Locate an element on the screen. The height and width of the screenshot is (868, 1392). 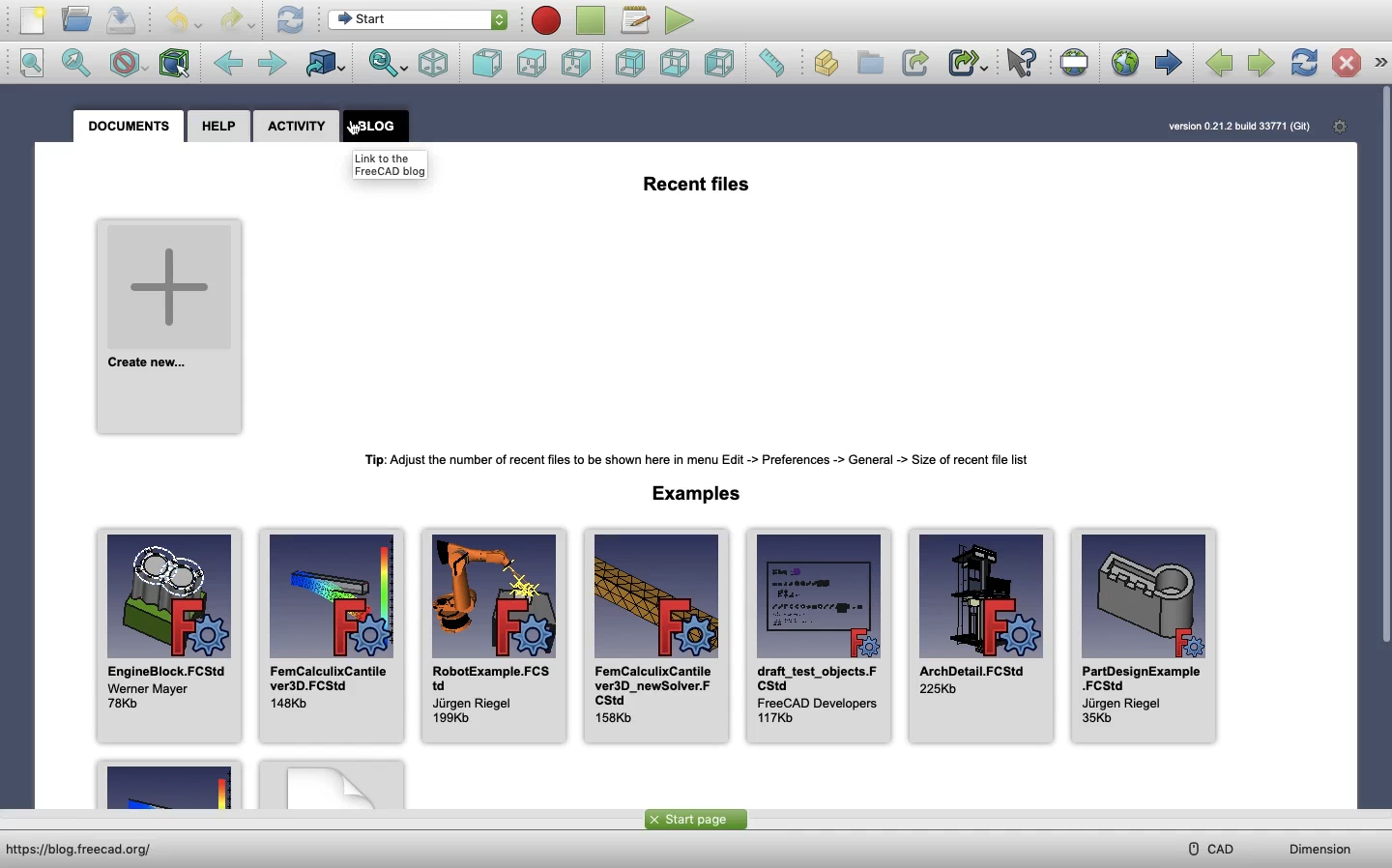
Draw Style is located at coordinates (129, 64).